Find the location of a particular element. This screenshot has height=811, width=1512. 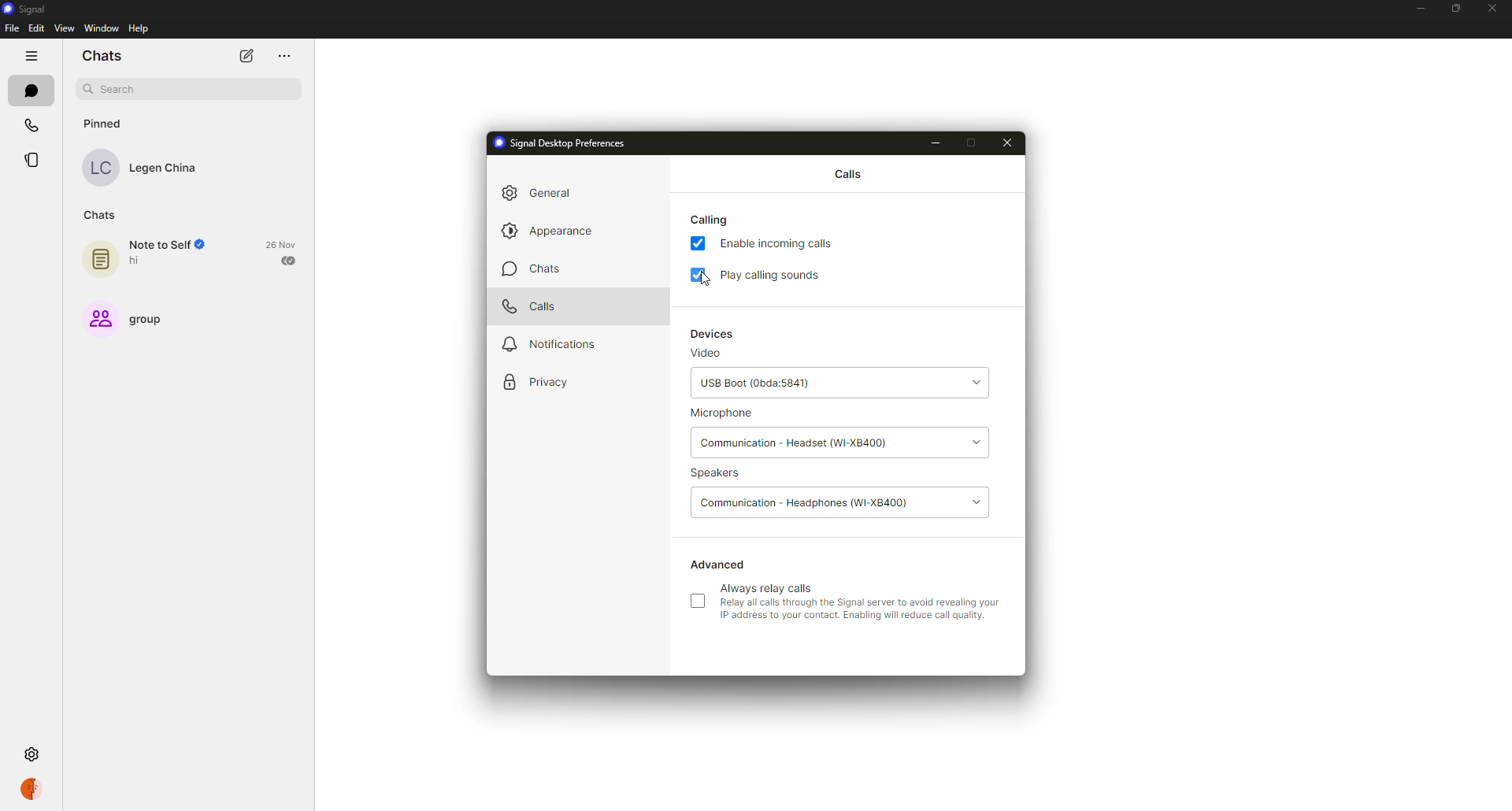

profile is located at coordinates (30, 790).